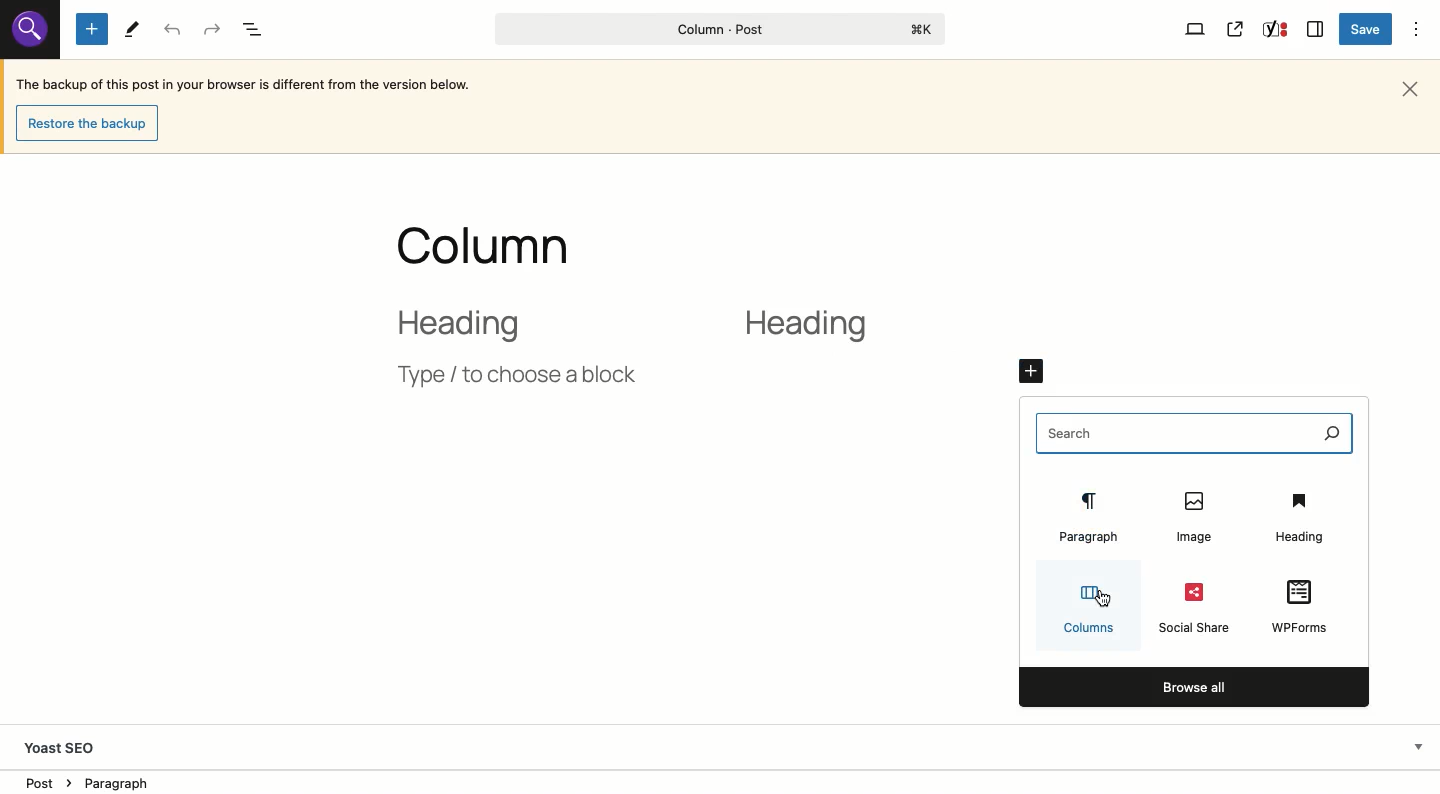 This screenshot has width=1440, height=794. What do you see at coordinates (1195, 434) in the screenshot?
I see `Search` at bounding box center [1195, 434].